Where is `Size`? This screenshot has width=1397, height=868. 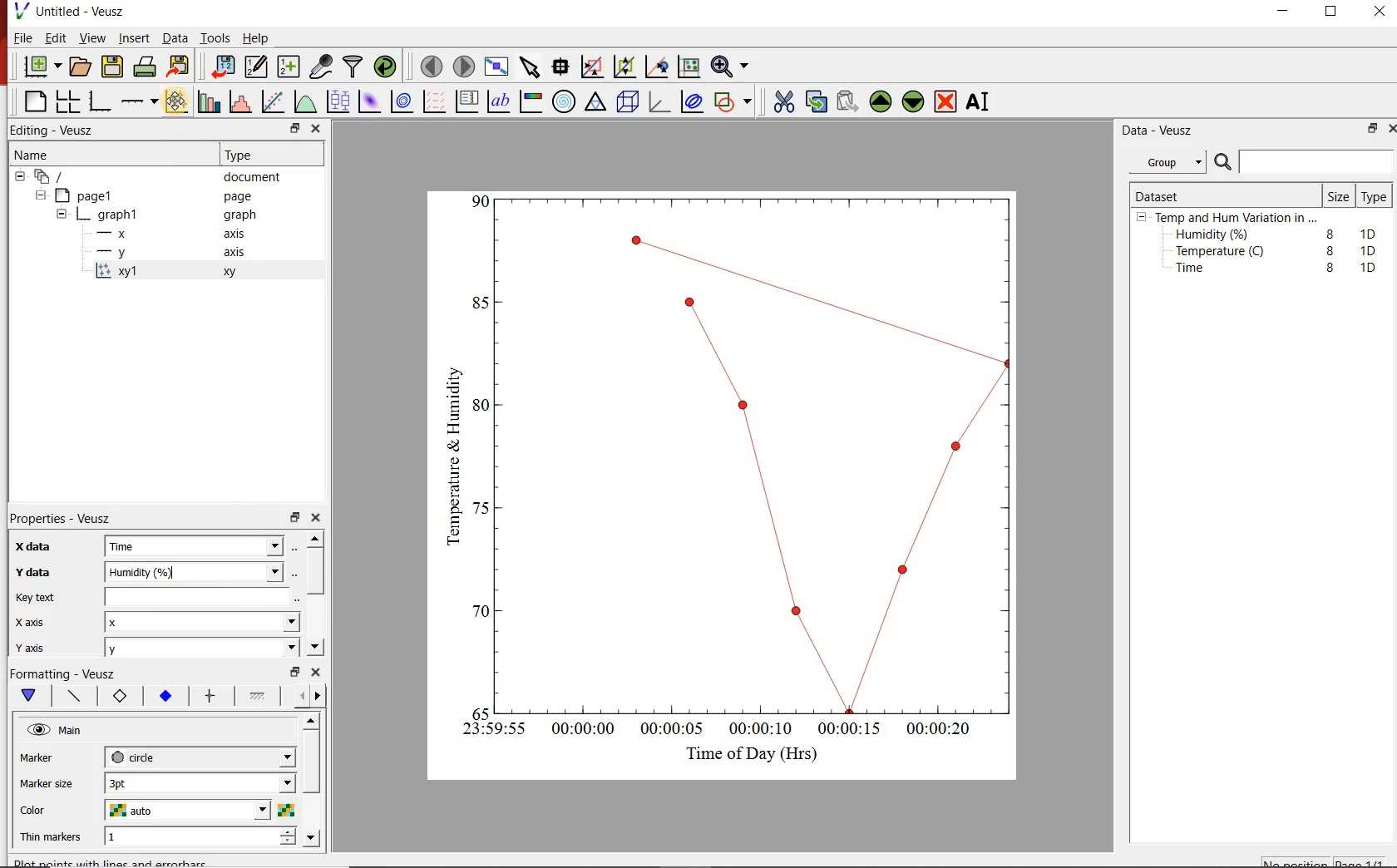
Size is located at coordinates (1337, 195).